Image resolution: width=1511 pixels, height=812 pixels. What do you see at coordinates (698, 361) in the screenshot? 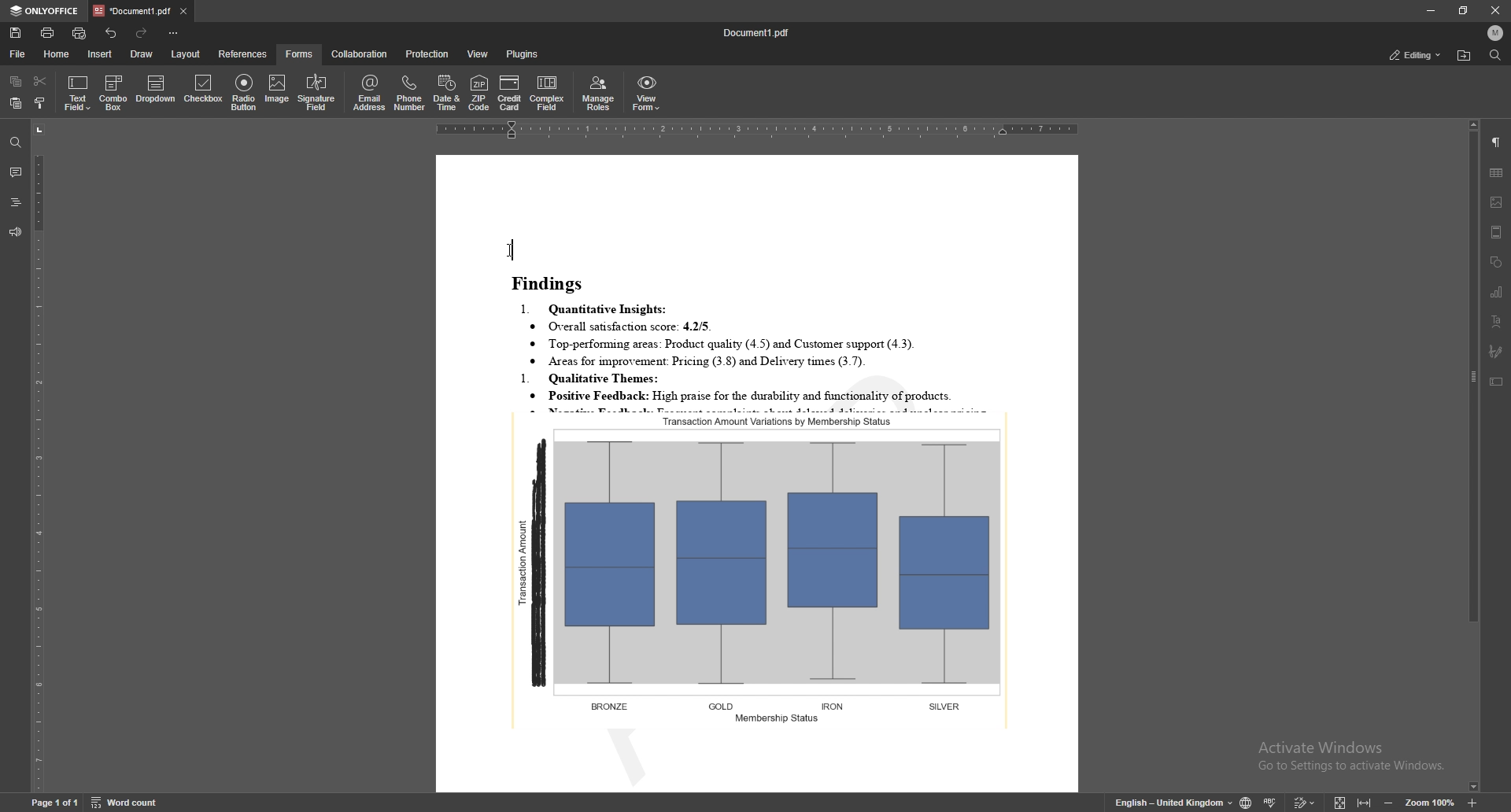
I see `® Areas for improvement: Pricing (3.8) and Delivery times (3.7).` at bounding box center [698, 361].